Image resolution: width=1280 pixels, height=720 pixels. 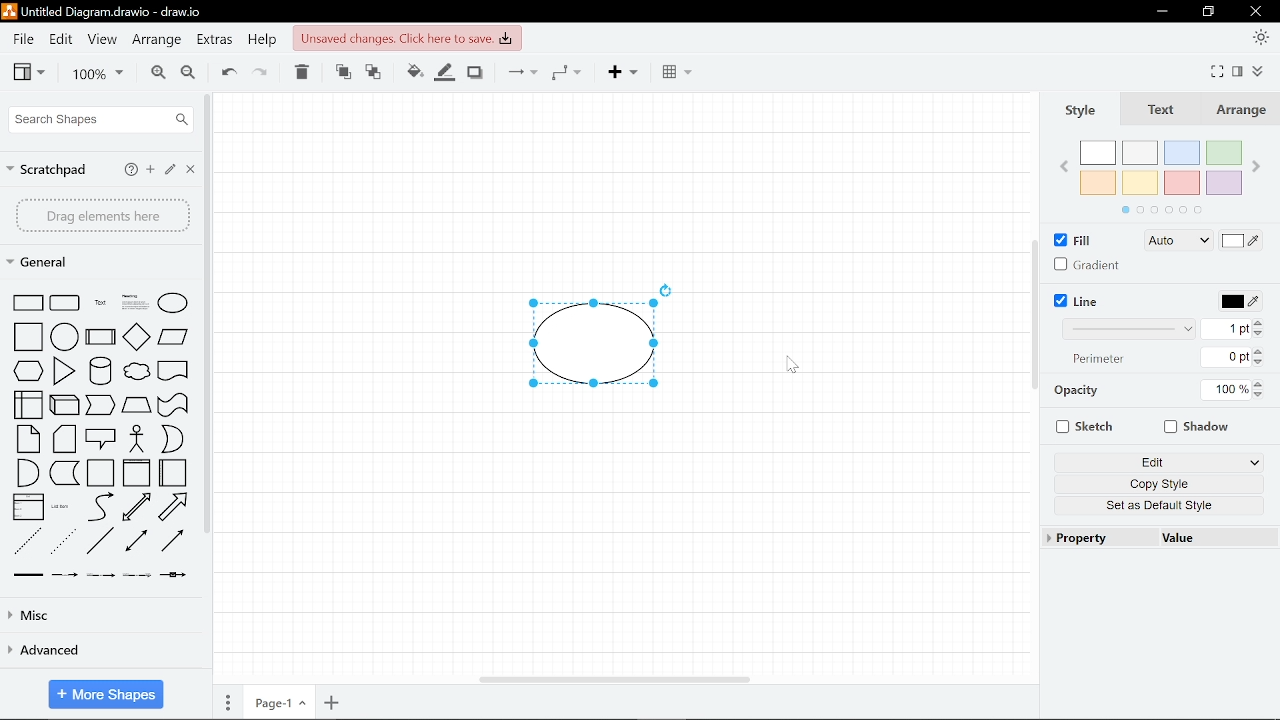 I want to click on Line width, so click(x=1128, y=329).